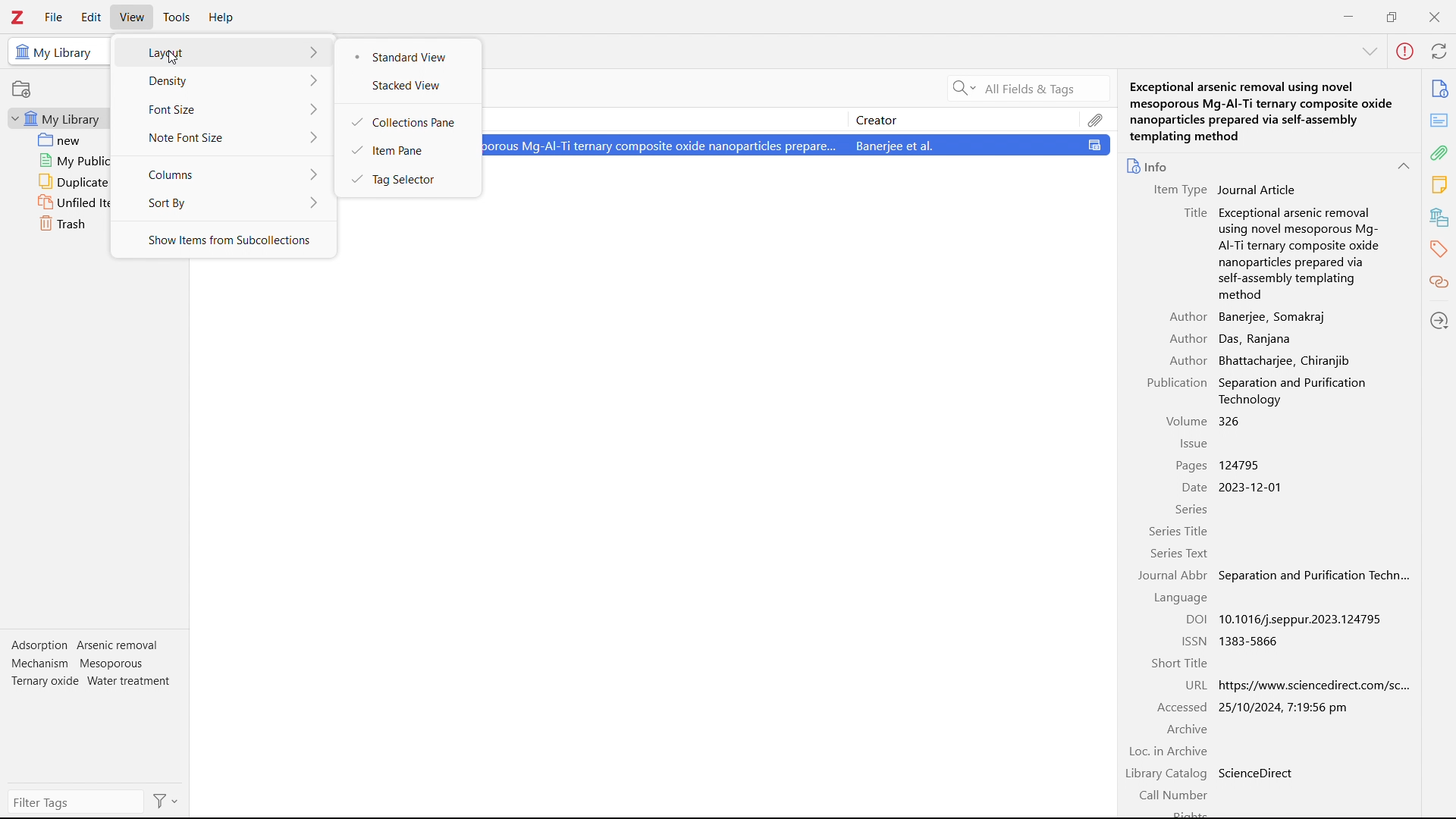 The image size is (1456, 819). What do you see at coordinates (1241, 464) in the screenshot?
I see `124795` at bounding box center [1241, 464].